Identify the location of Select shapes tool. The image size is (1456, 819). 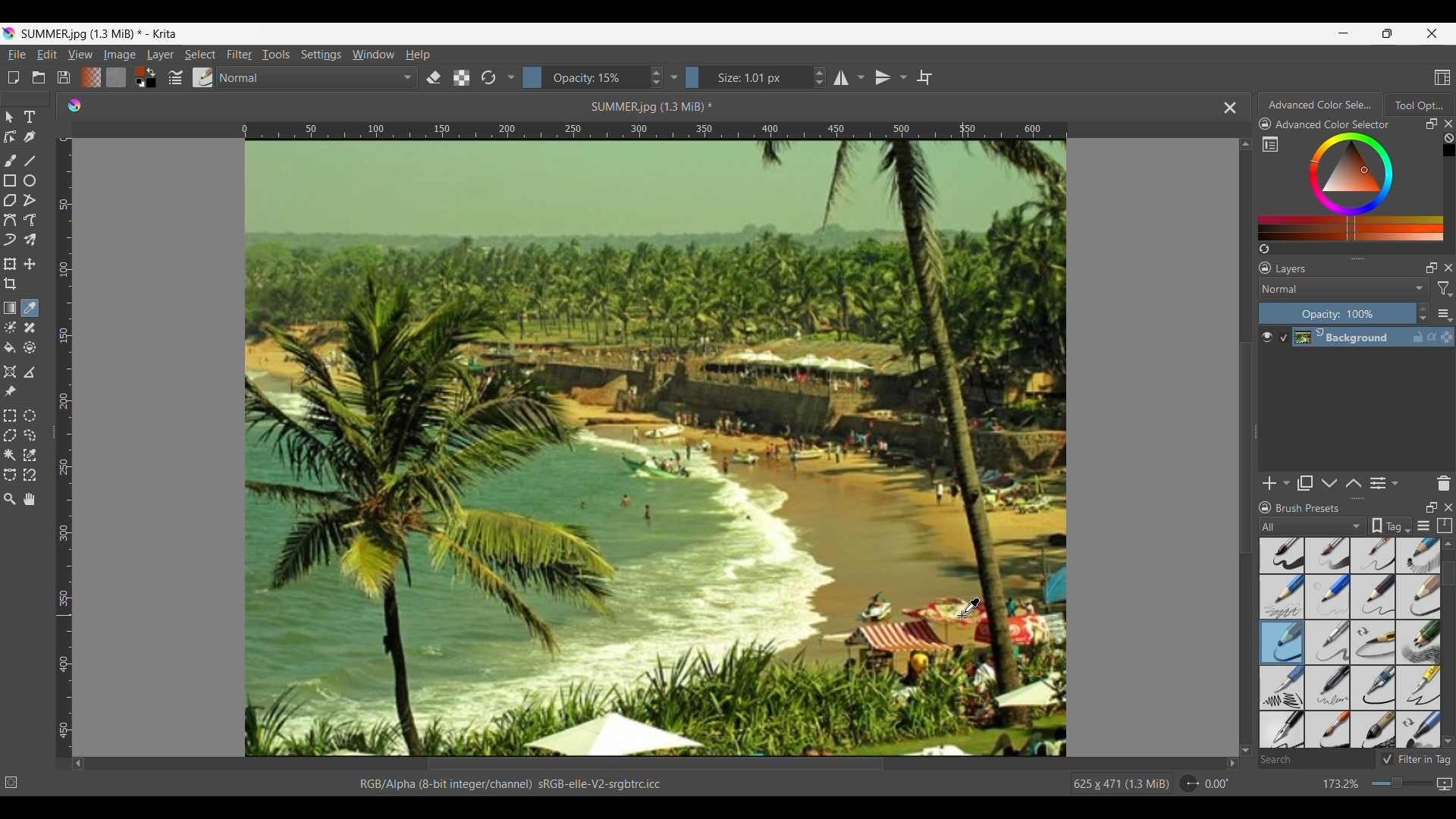
(10, 117).